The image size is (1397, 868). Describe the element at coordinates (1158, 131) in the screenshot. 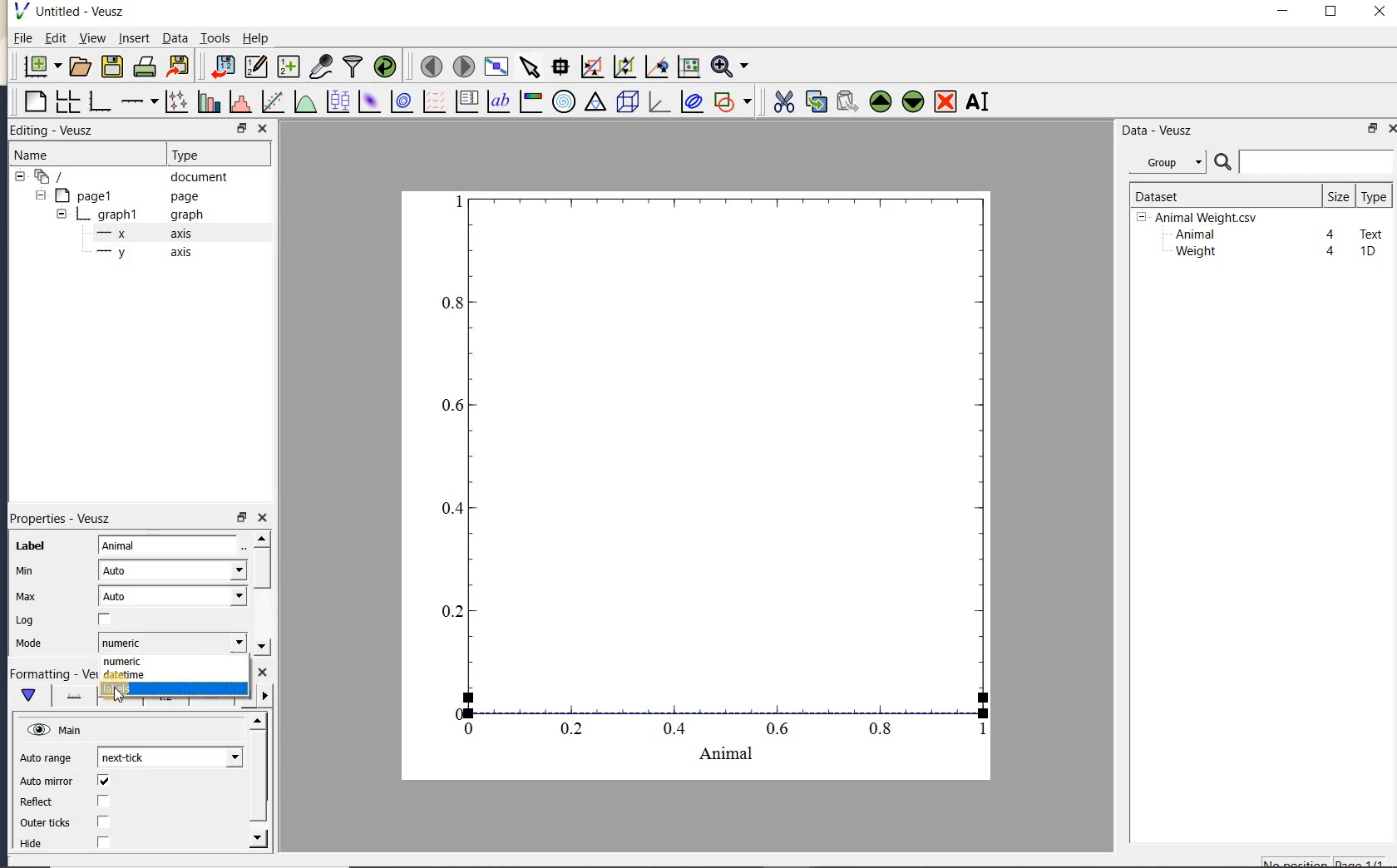

I see `Data-Veusz` at that location.